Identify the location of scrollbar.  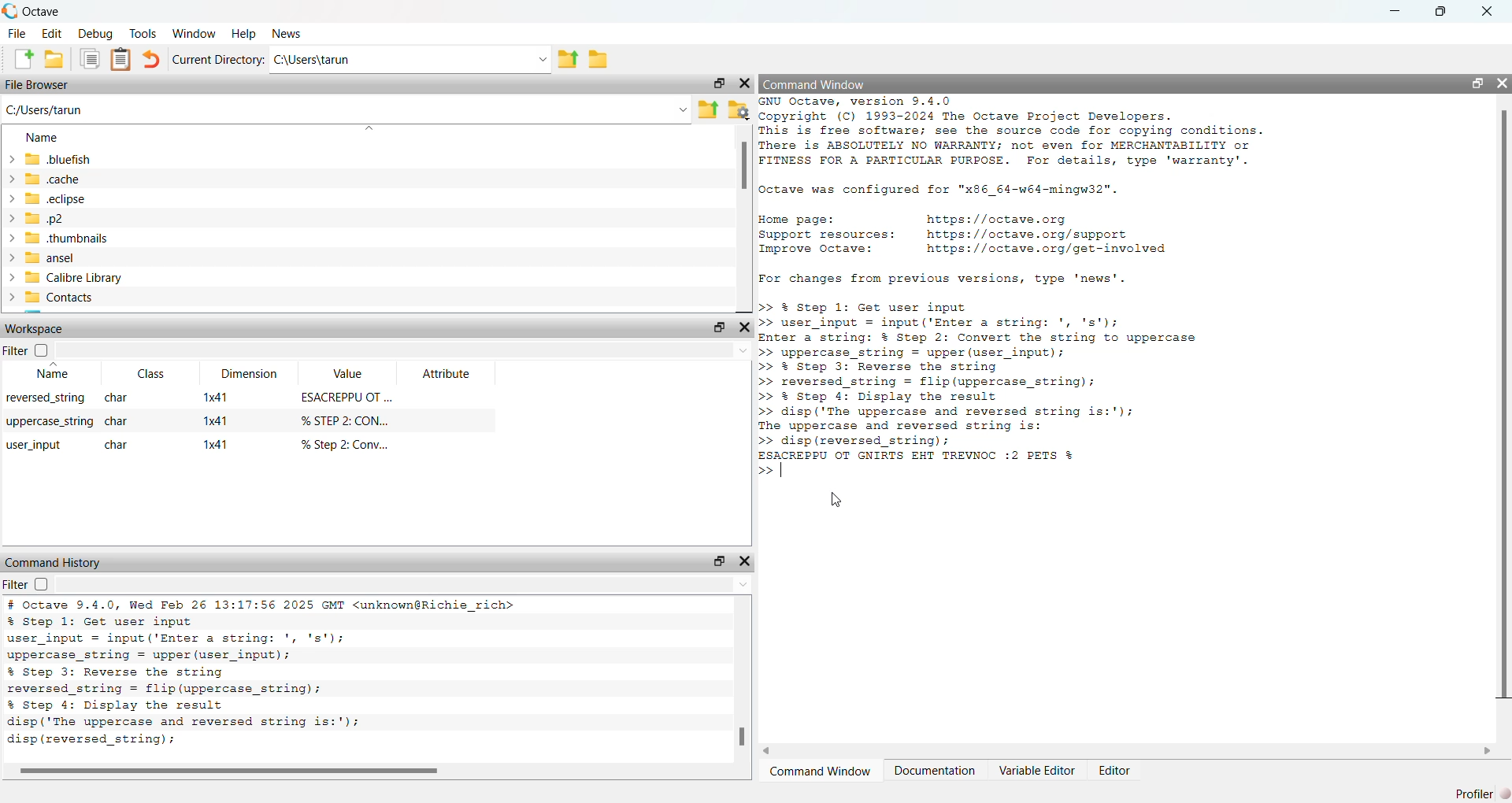
(1503, 409).